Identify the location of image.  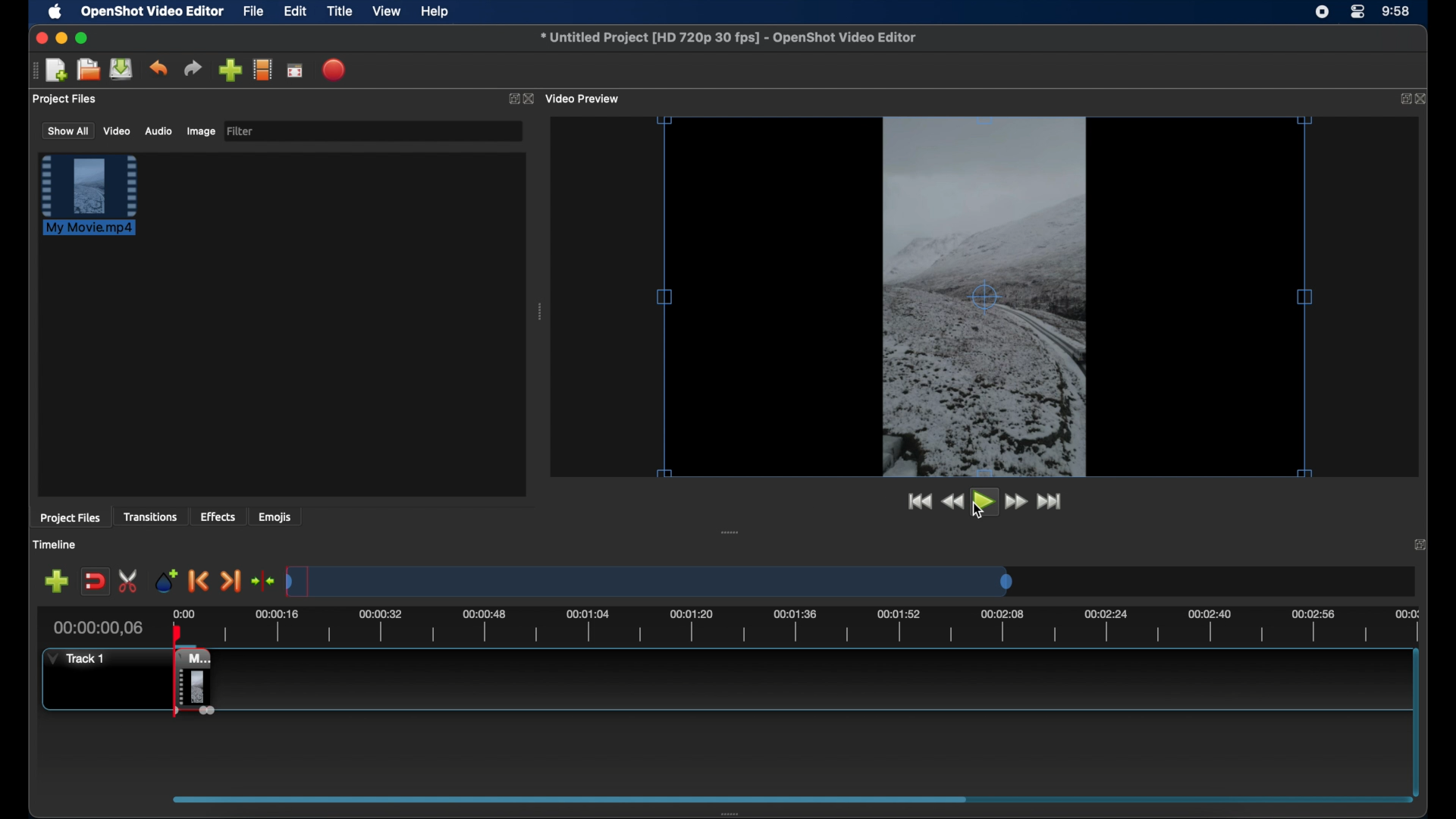
(200, 133).